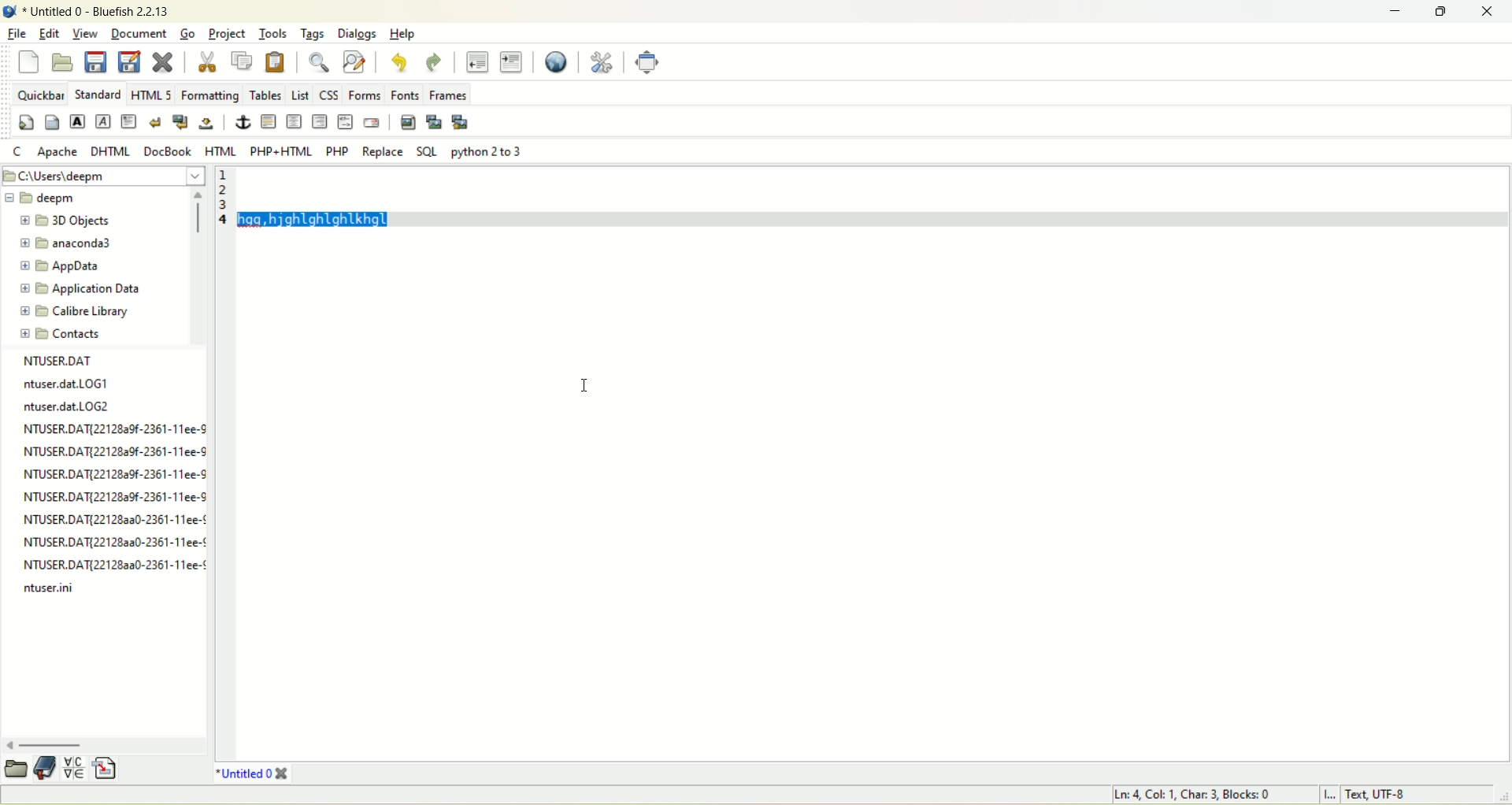 This screenshot has width=1512, height=805. I want to click on c, so click(19, 150).